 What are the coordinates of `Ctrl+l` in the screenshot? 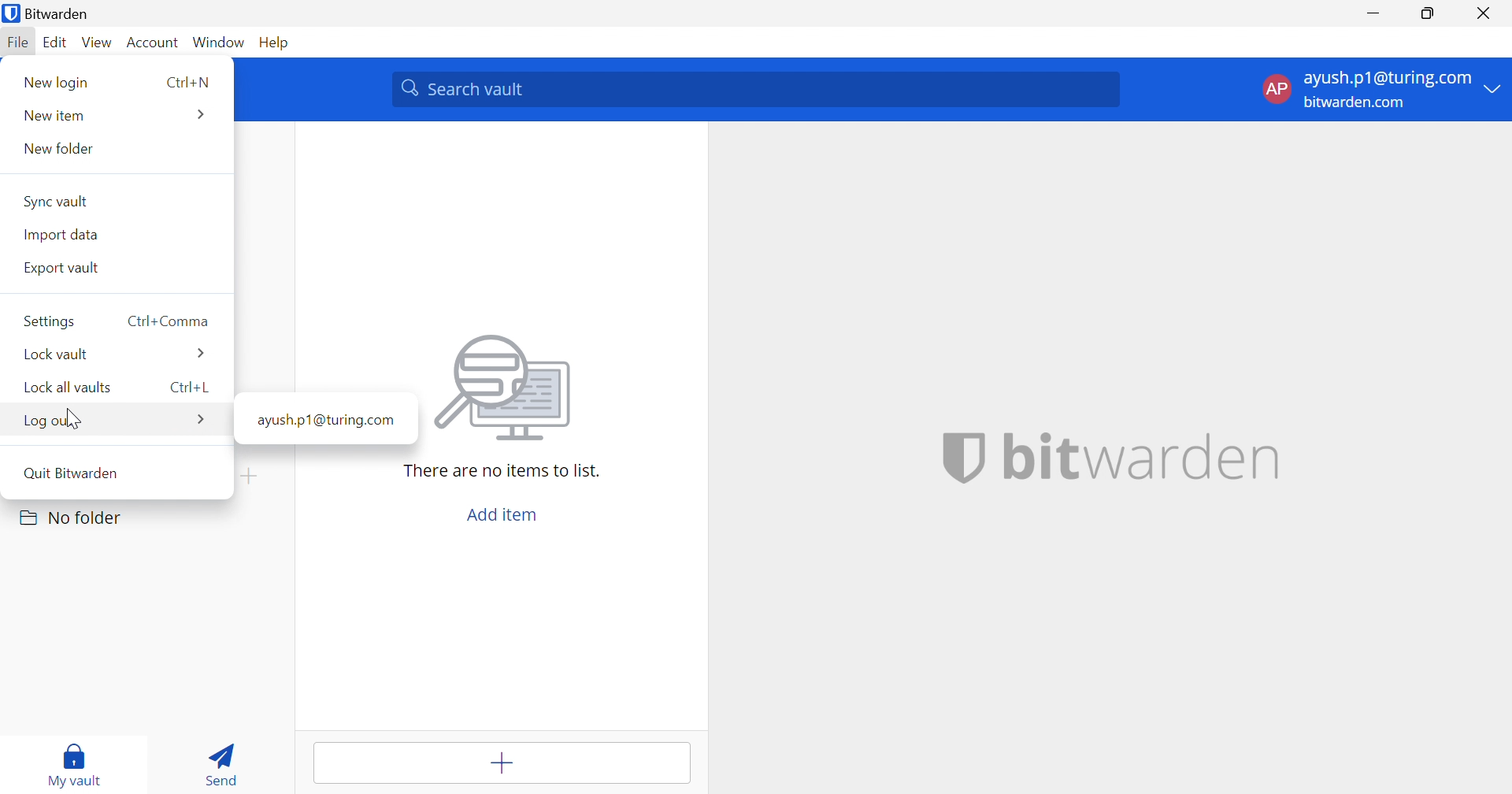 It's located at (191, 388).